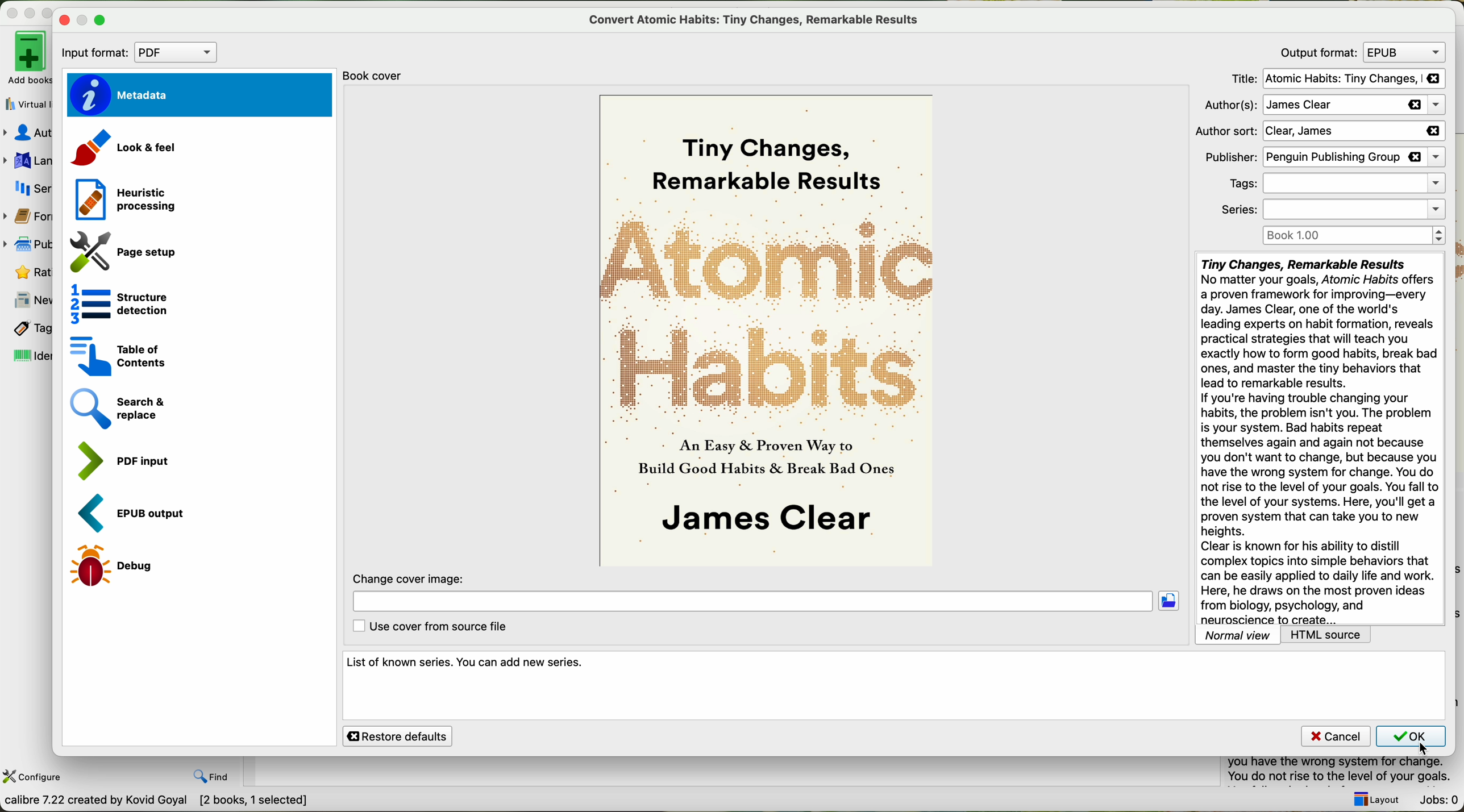 This screenshot has width=1464, height=812. What do you see at coordinates (894, 686) in the screenshot?
I see `set the metadata` at bounding box center [894, 686].